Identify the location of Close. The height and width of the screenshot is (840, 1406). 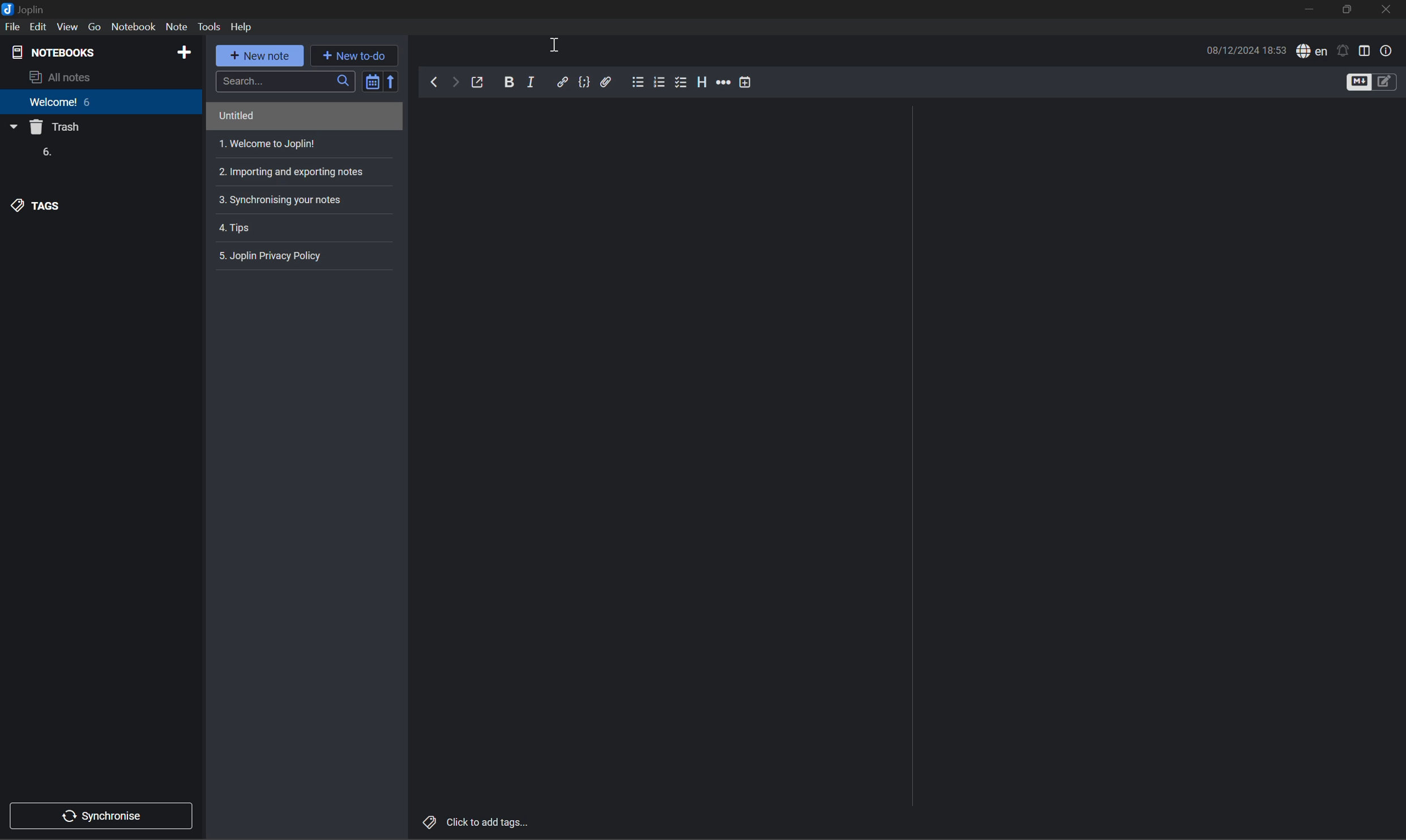
(1388, 11).